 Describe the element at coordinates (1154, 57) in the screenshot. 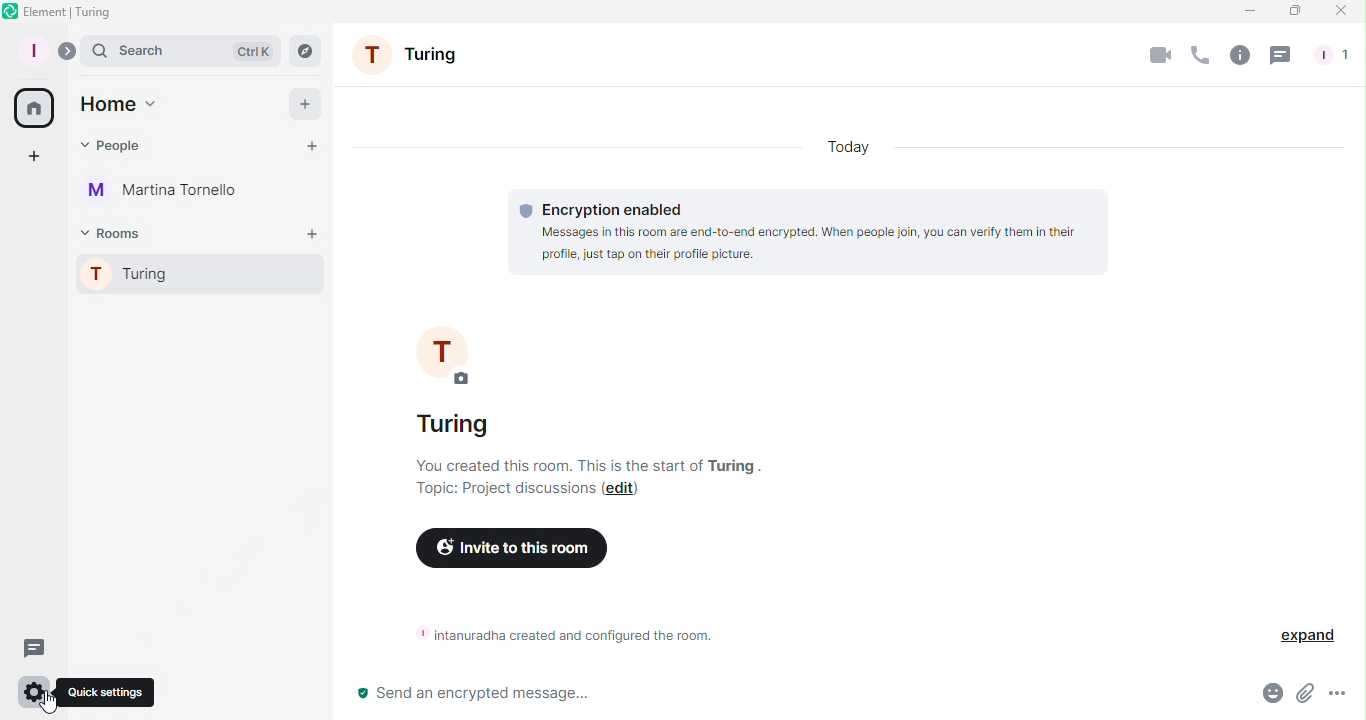

I see `Video call` at that location.